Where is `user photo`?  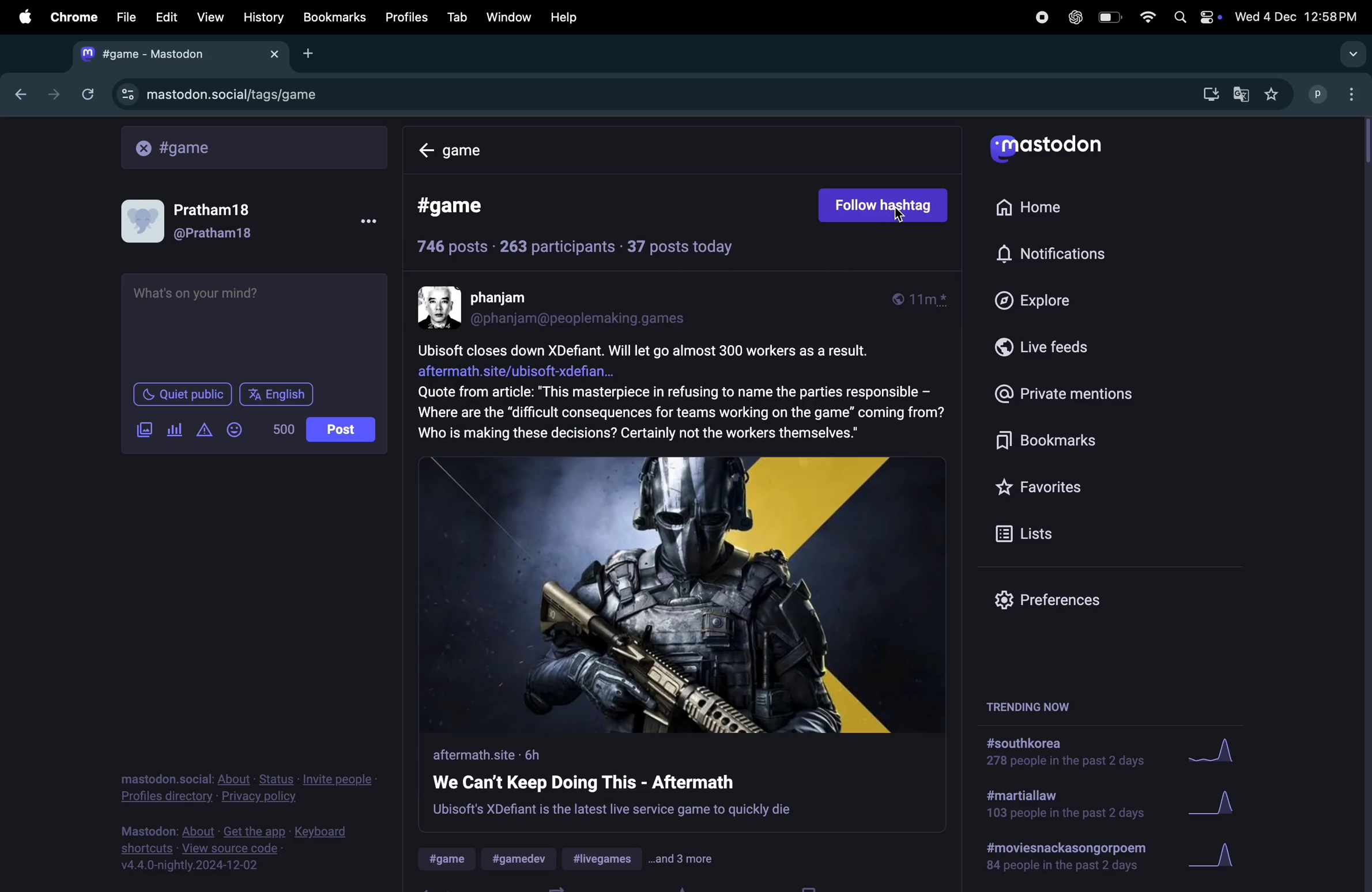 user photo is located at coordinates (441, 307).